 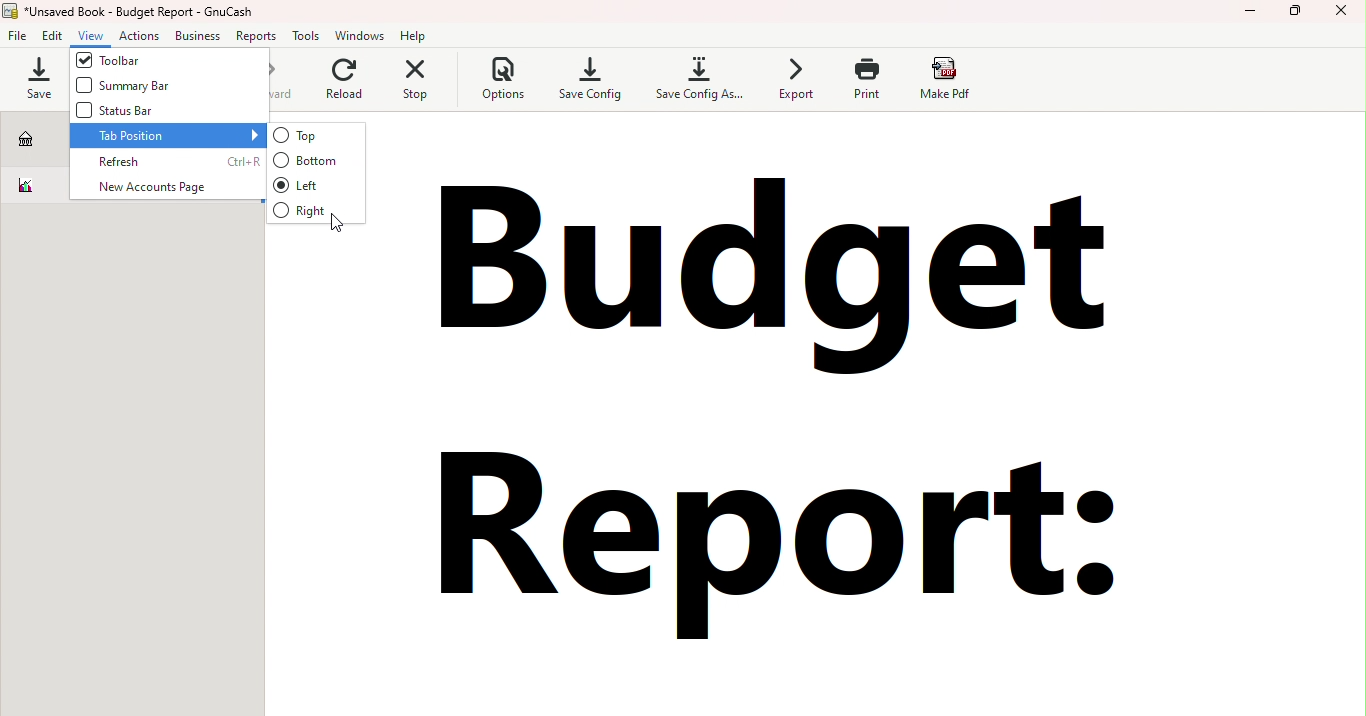 I want to click on Status Bar, so click(x=152, y=112).